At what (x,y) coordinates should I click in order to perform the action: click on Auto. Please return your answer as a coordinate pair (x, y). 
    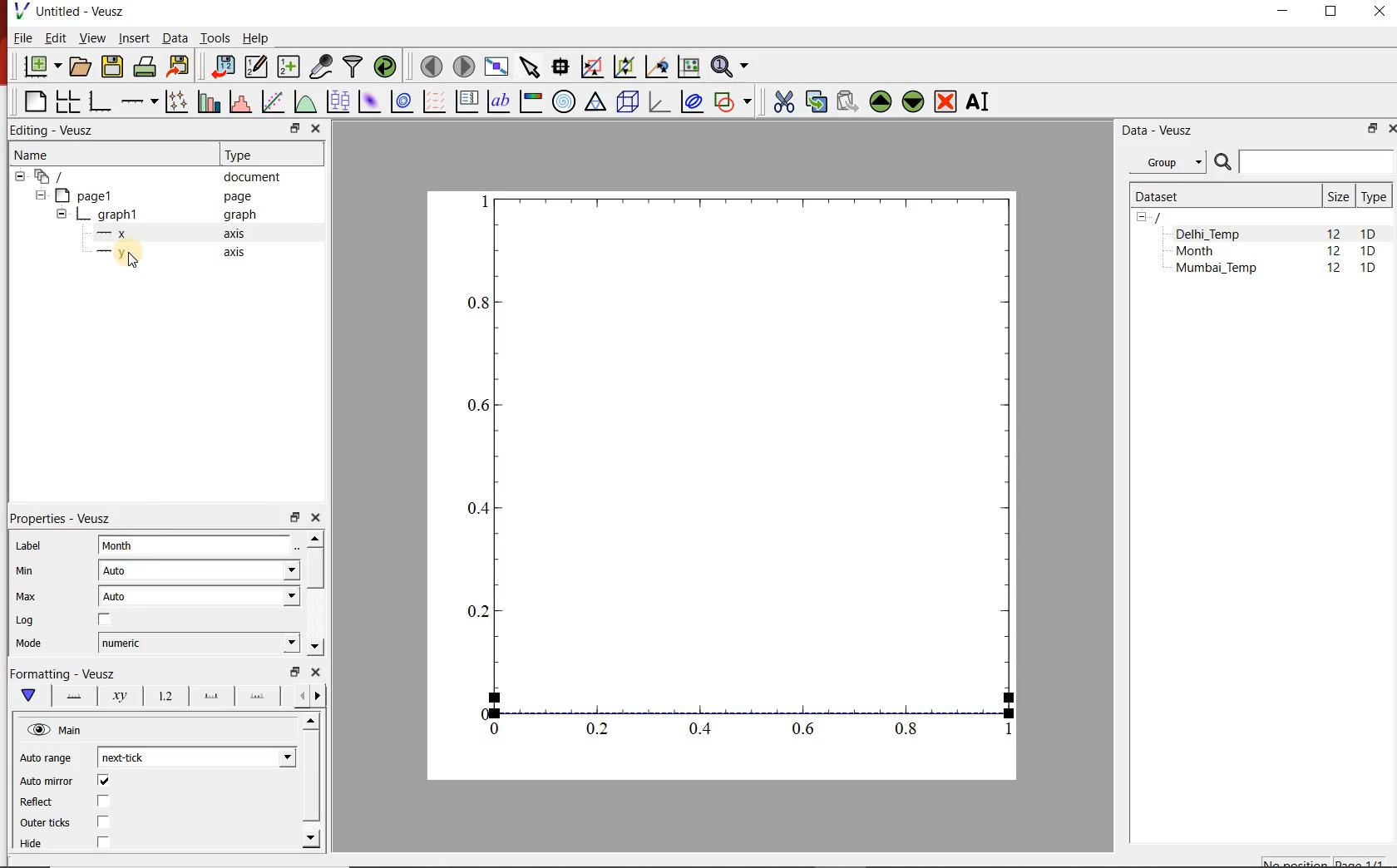
    Looking at the image, I should click on (200, 570).